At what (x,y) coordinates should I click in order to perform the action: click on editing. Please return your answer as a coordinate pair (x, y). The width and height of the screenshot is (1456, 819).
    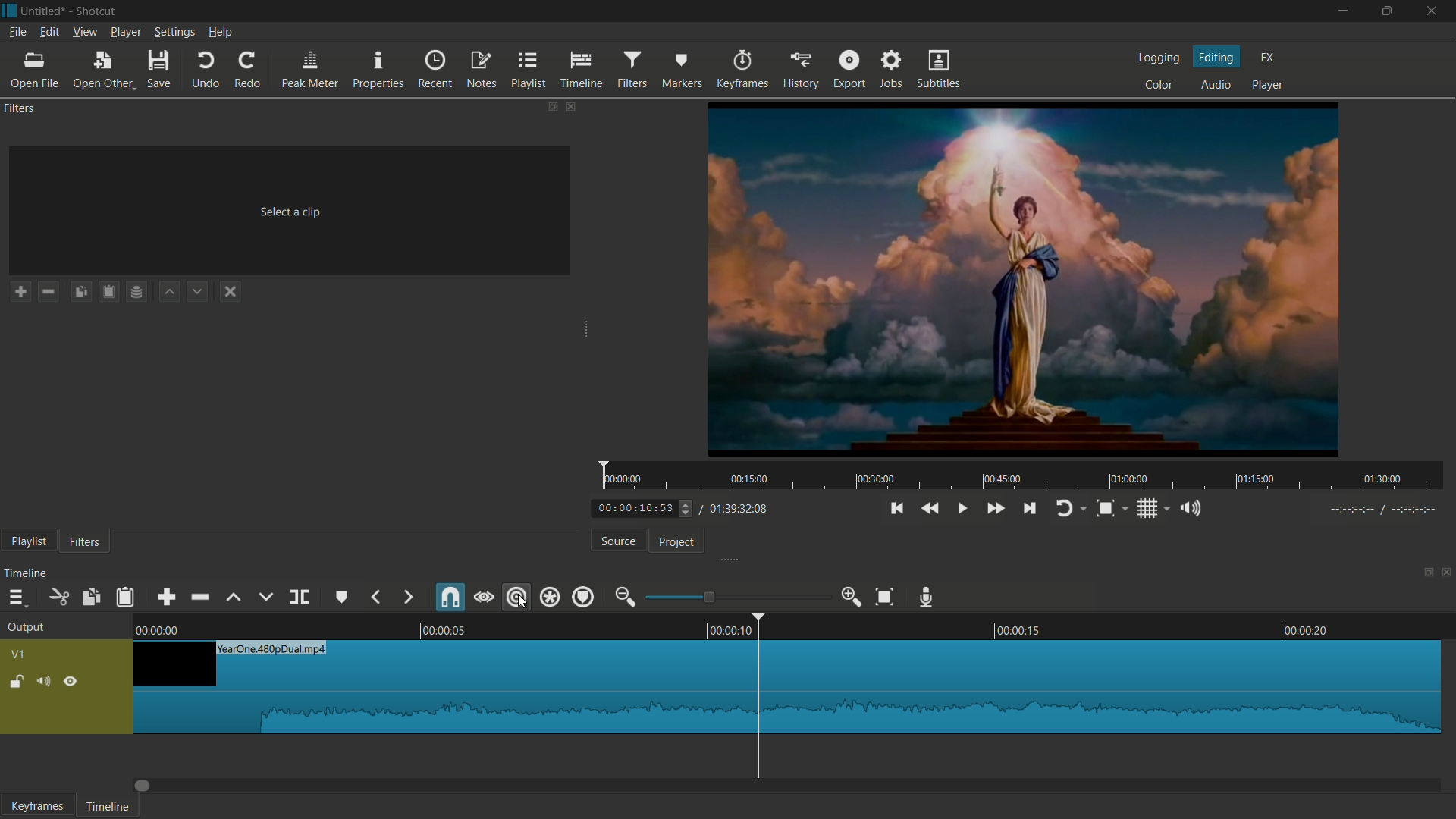
    Looking at the image, I should click on (1218, 56).